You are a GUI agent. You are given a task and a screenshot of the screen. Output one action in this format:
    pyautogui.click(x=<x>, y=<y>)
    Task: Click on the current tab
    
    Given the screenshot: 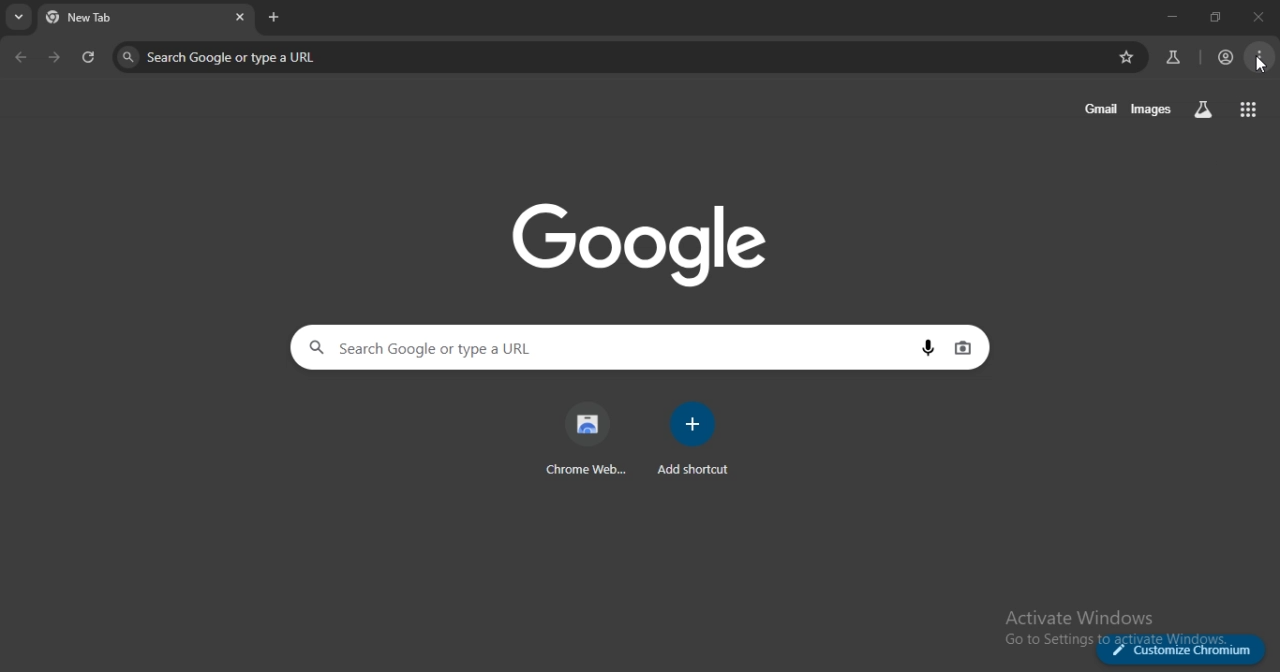 What is the action you would take?
    pyautogui.click(x=98, y=16)
    